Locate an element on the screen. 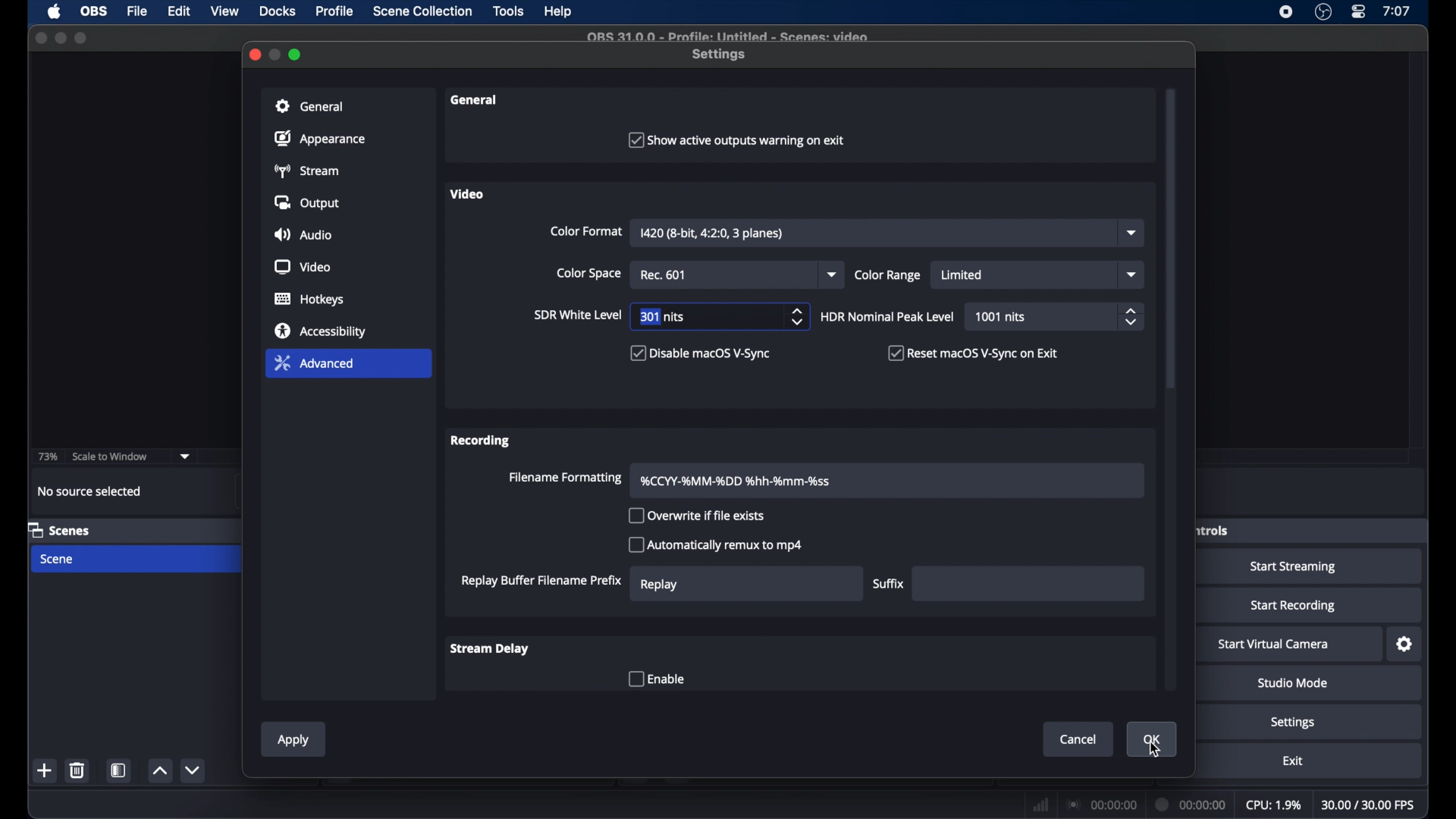  video is located at coordinates (467, 194).